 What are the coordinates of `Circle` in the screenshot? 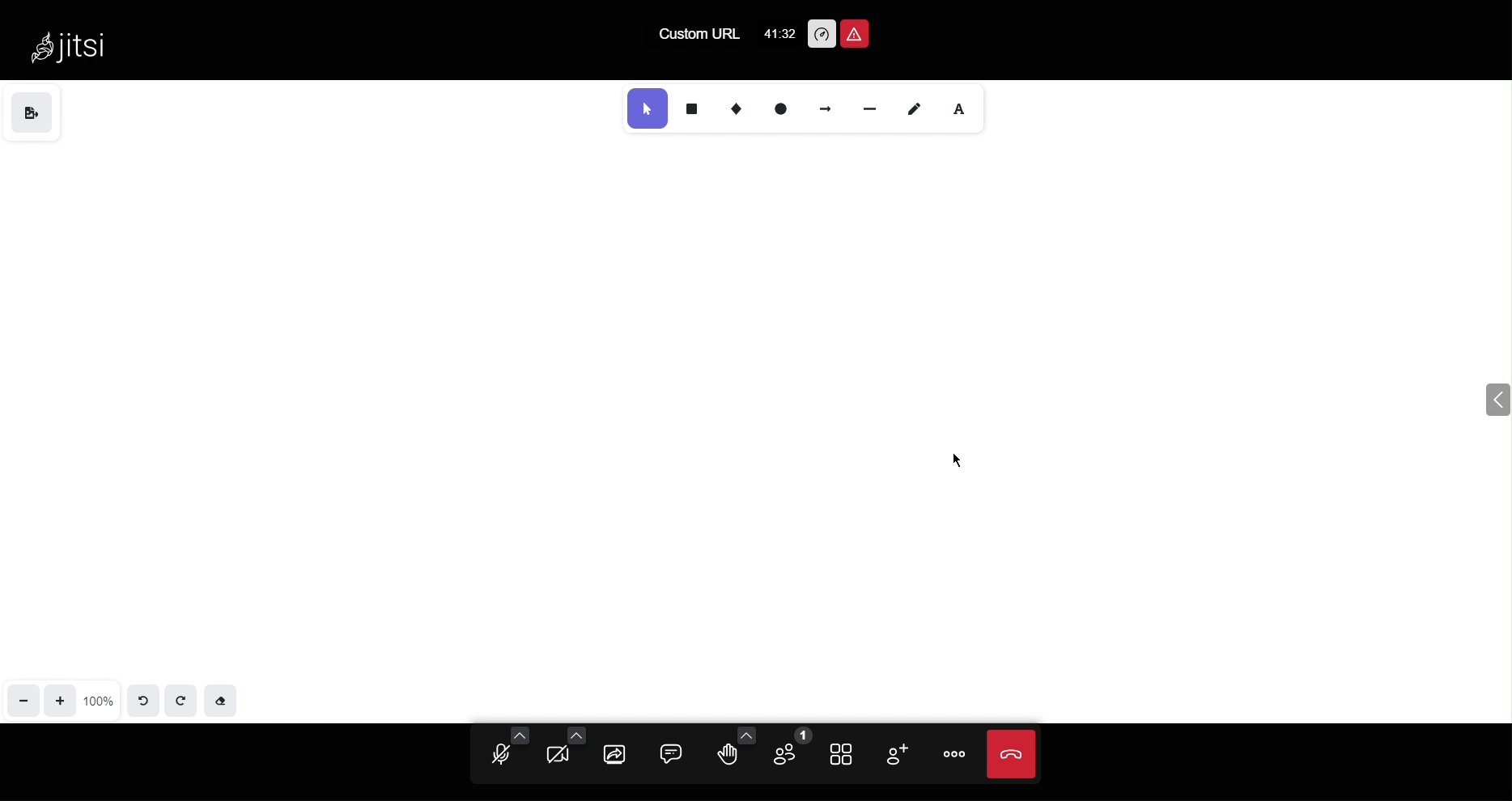 It's located at (782, 109).